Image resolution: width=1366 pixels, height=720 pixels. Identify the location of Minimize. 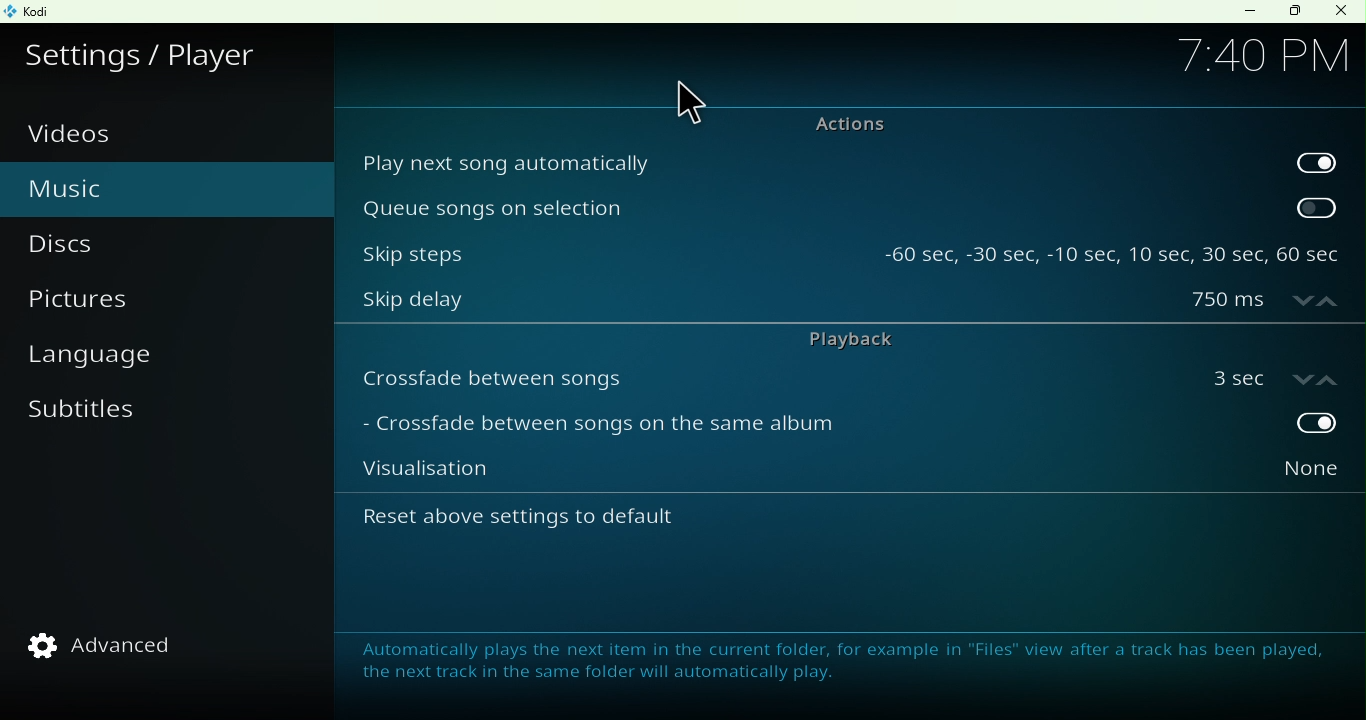
(1245, 11).